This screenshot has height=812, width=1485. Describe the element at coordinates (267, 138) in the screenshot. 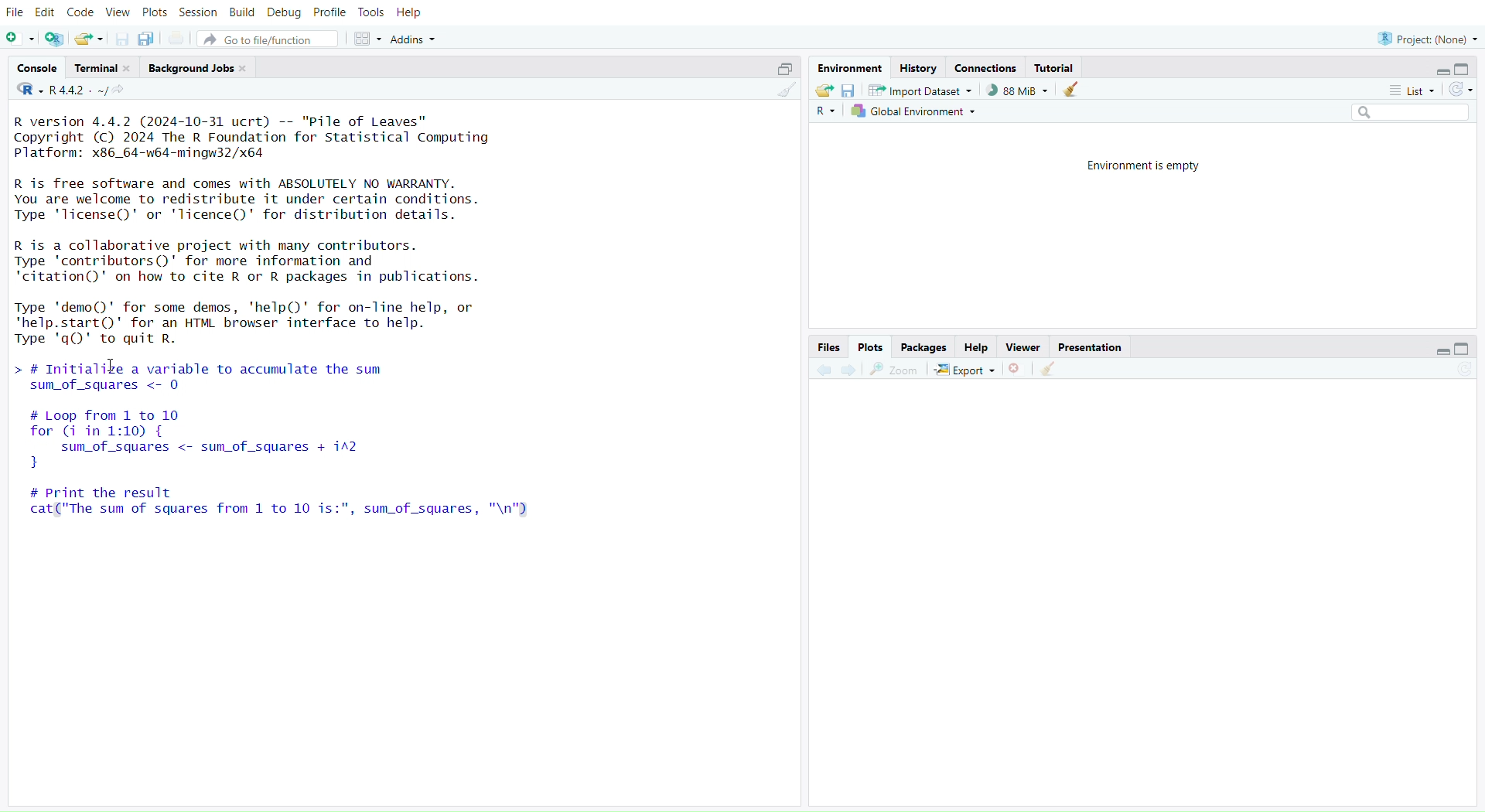

I see `R version 4.4.2 (2024-10-31 ucrt) -- "Pile of Leaves"
Copyright (C) 2024 The R Foundation for Statistical Computing
Platform: x86_64-w64-mingw32/x64` at that location.